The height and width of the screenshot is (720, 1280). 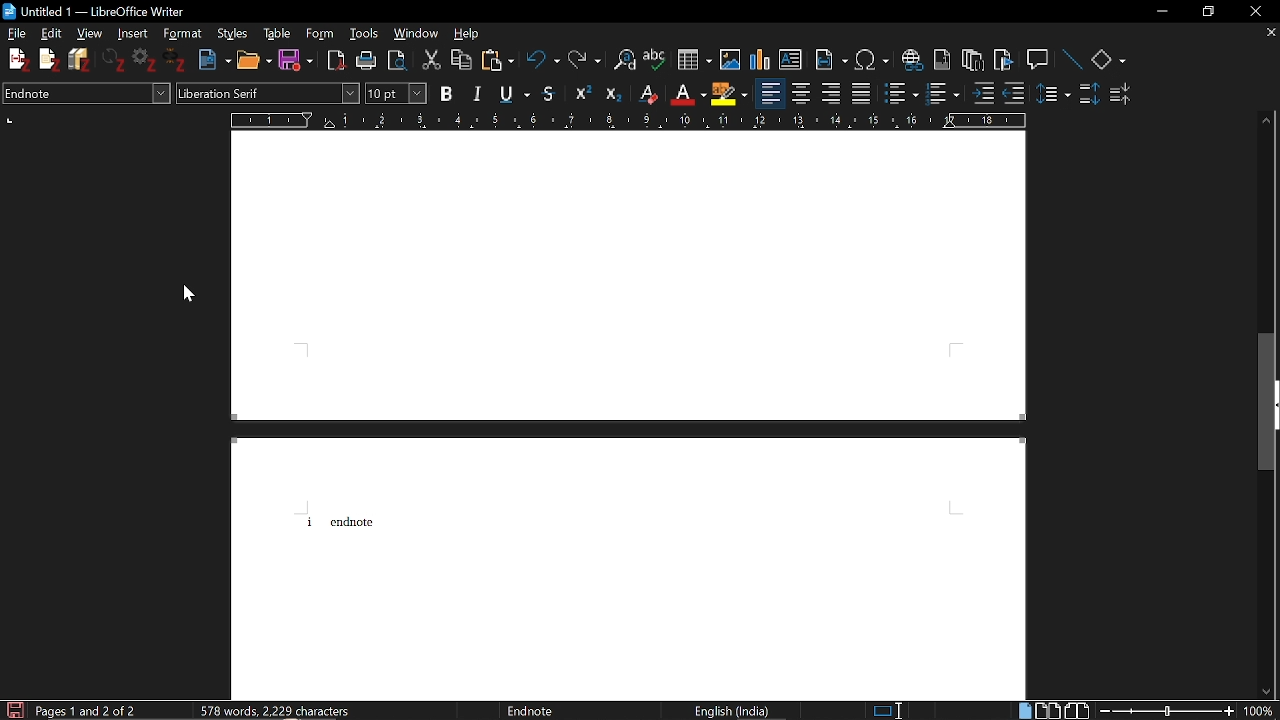 What do you see at coordinates (1266, 691) in the screenshot?
I see `Move down` at bounding box center [1266, 691].